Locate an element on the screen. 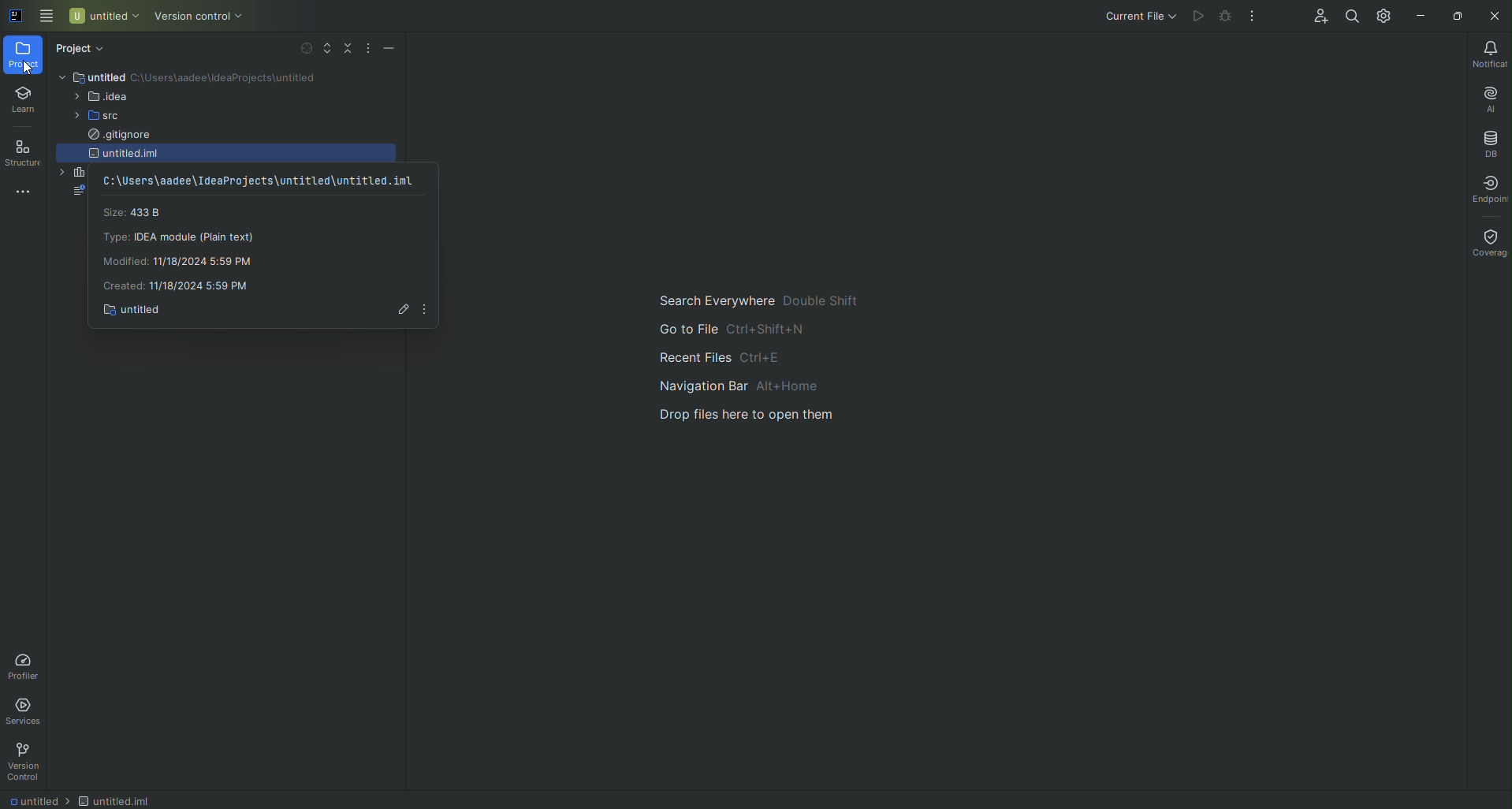 The height and width of the screenshot is (809, 1512). Coverage is located at coordinates (1488, 237).